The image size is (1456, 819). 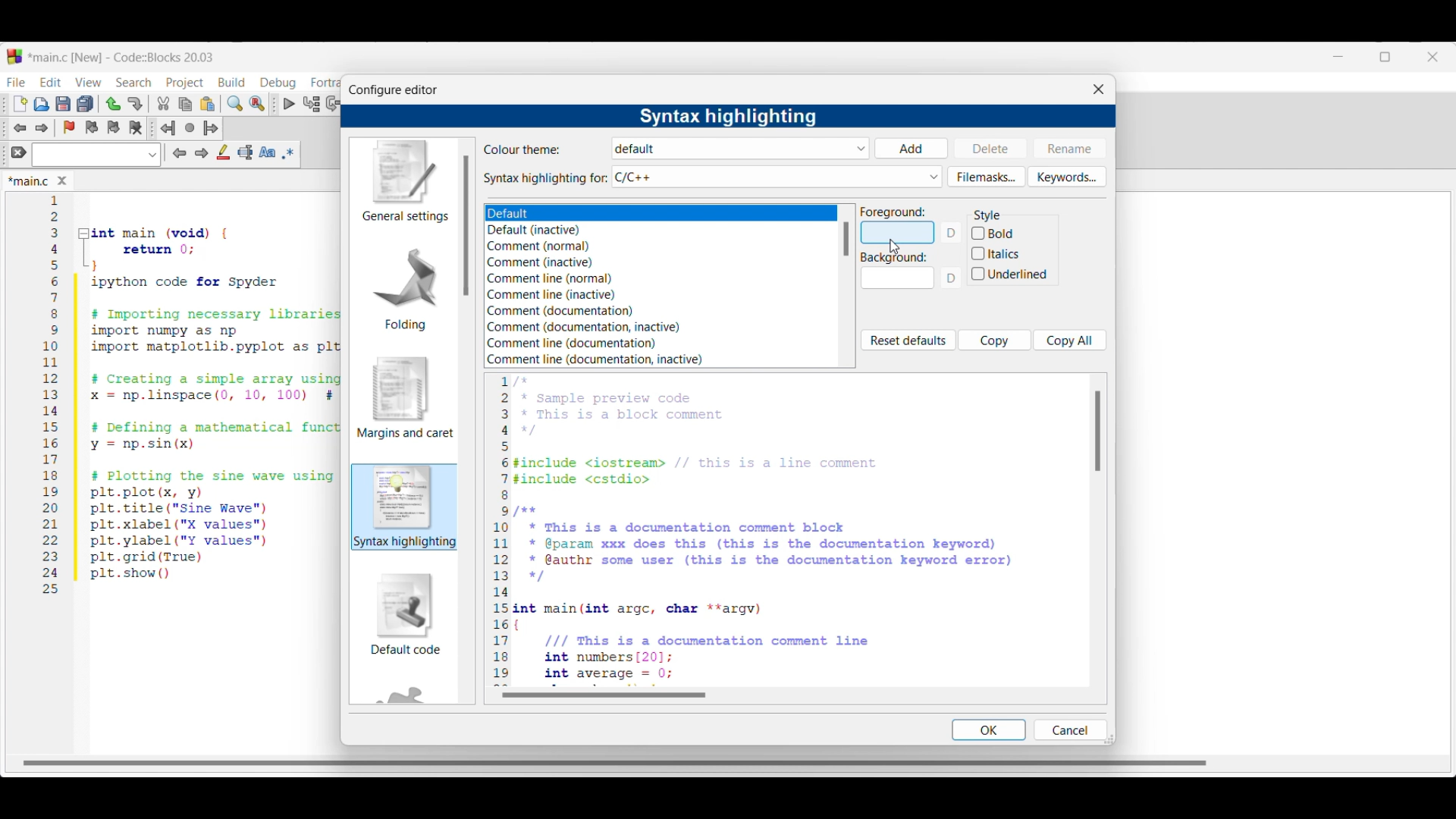 What do you see at coordinates (604, 695) in the screenshot?
I see `Horizontal slide bar` at bounding box center [604, 695].